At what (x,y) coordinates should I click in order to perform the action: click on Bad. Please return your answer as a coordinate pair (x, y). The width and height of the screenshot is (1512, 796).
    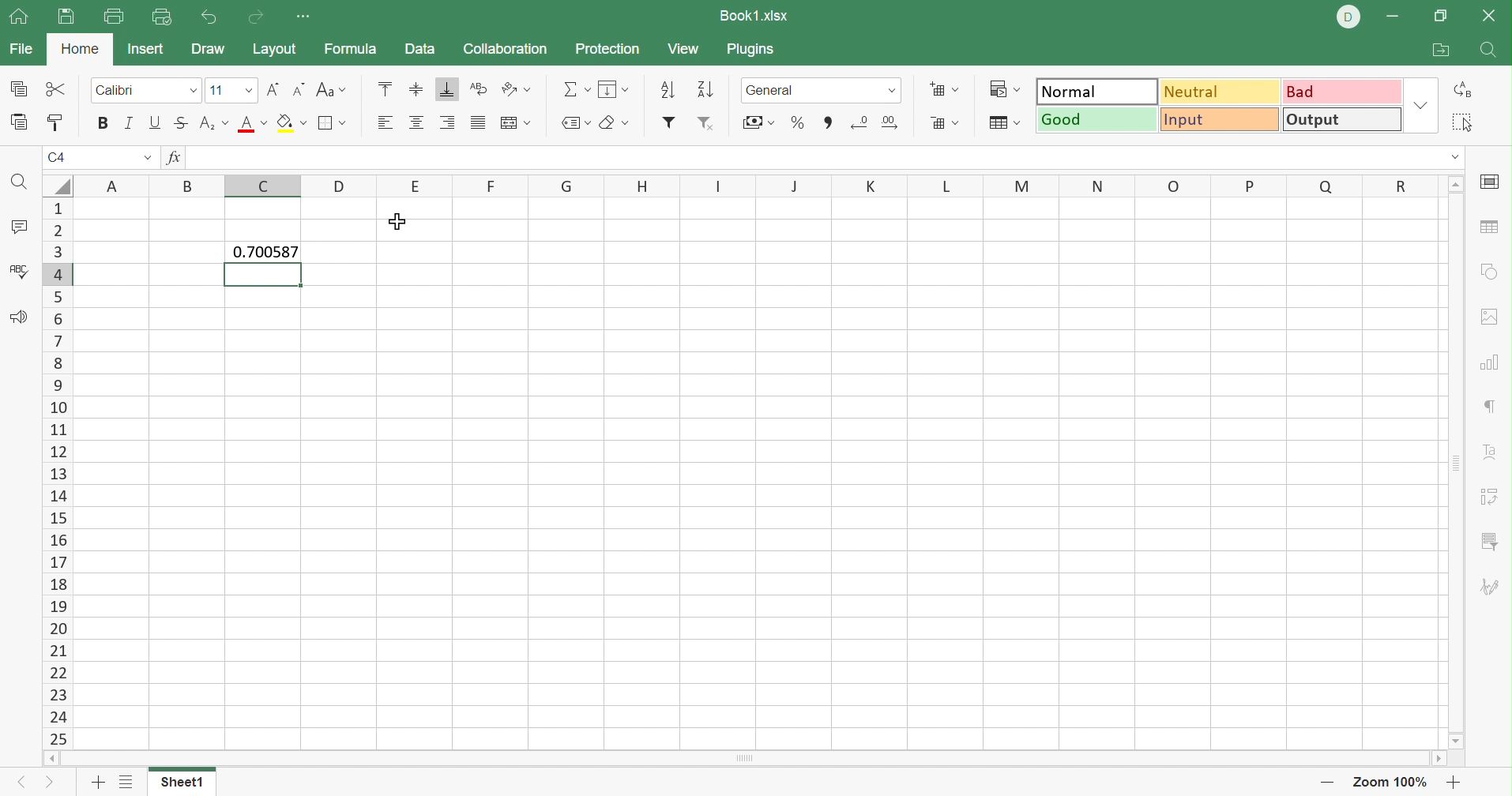
    Looking at the image, I should click on (1342, 91).